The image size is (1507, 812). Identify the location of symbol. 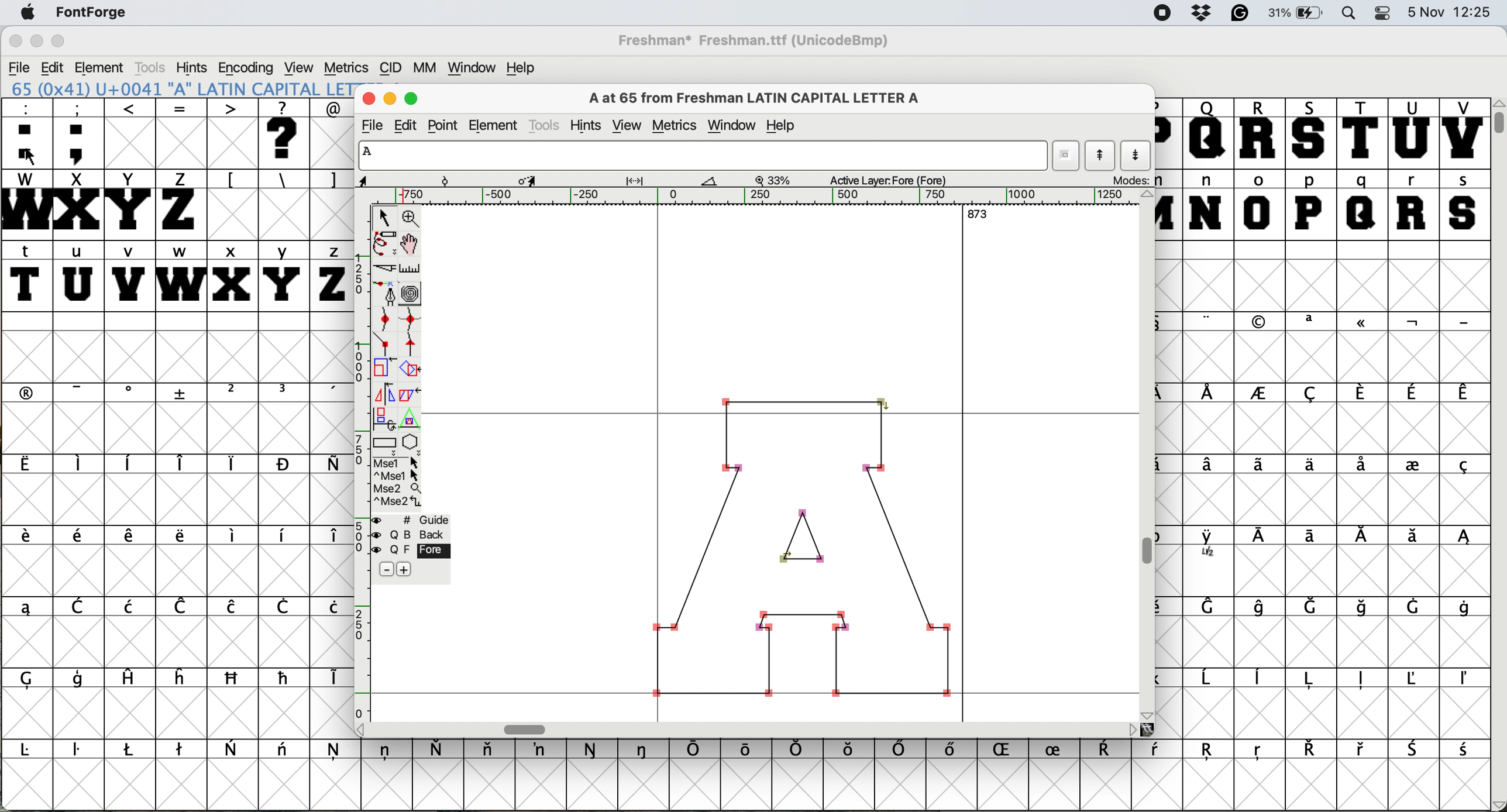
(798, 749).